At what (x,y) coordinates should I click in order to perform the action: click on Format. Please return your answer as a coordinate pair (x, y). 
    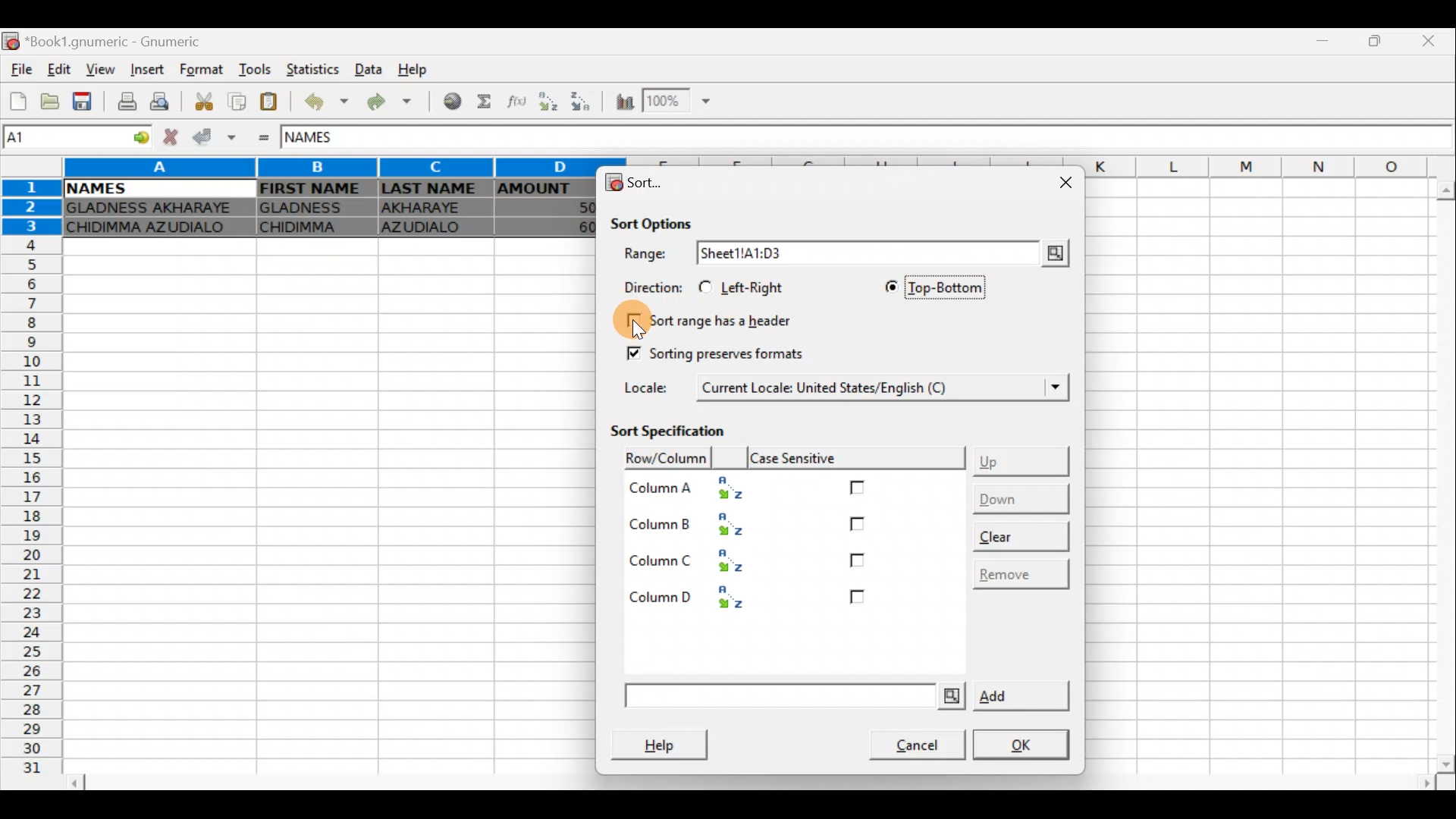
    Looking at the image, I should click on (206, 71).